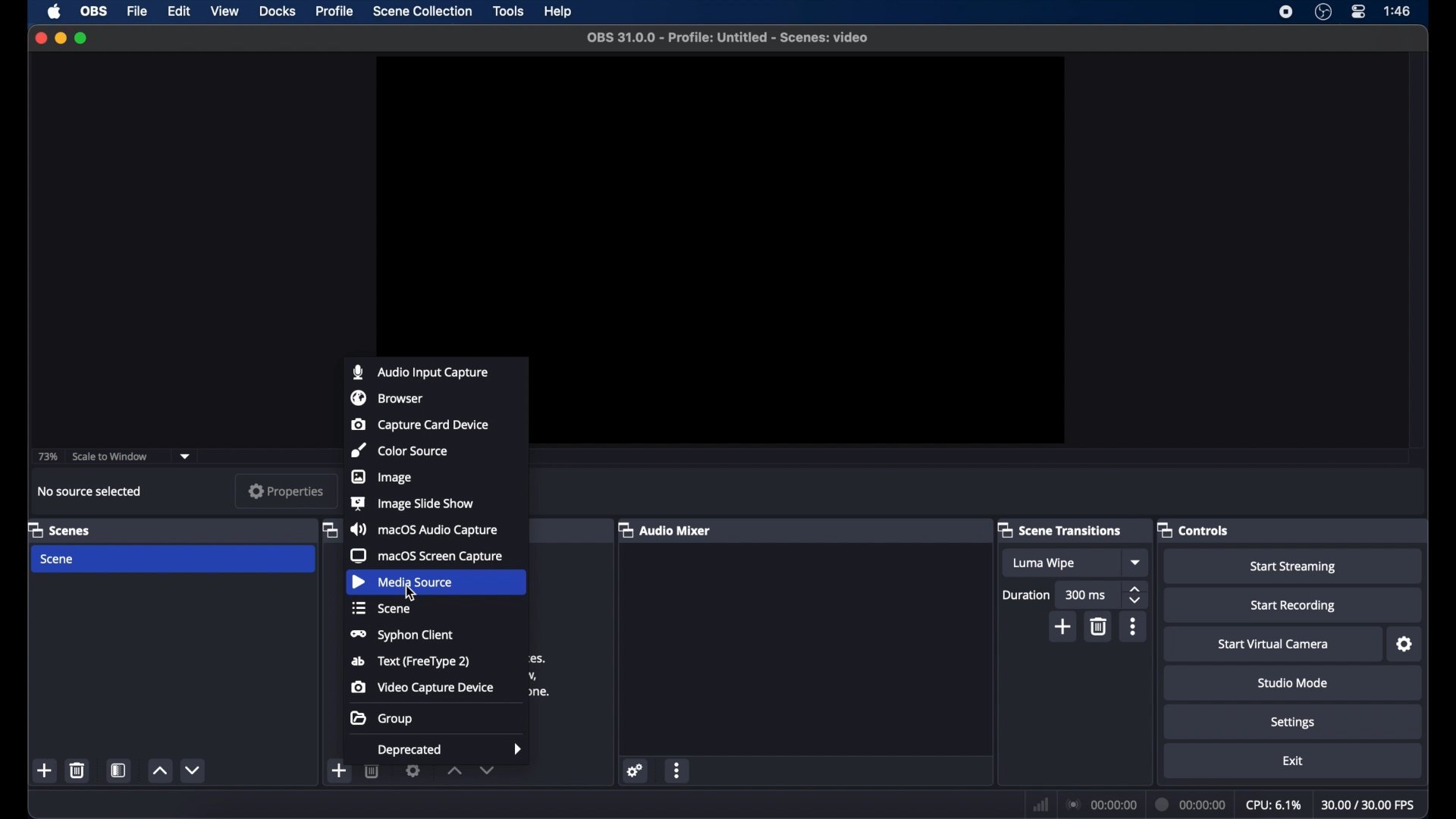 The width and height of the screenshot is (1456, 819). What do you see at coordinates (160, 770) in the screenshot?
I see `increment` at bounding box center [160, 770].